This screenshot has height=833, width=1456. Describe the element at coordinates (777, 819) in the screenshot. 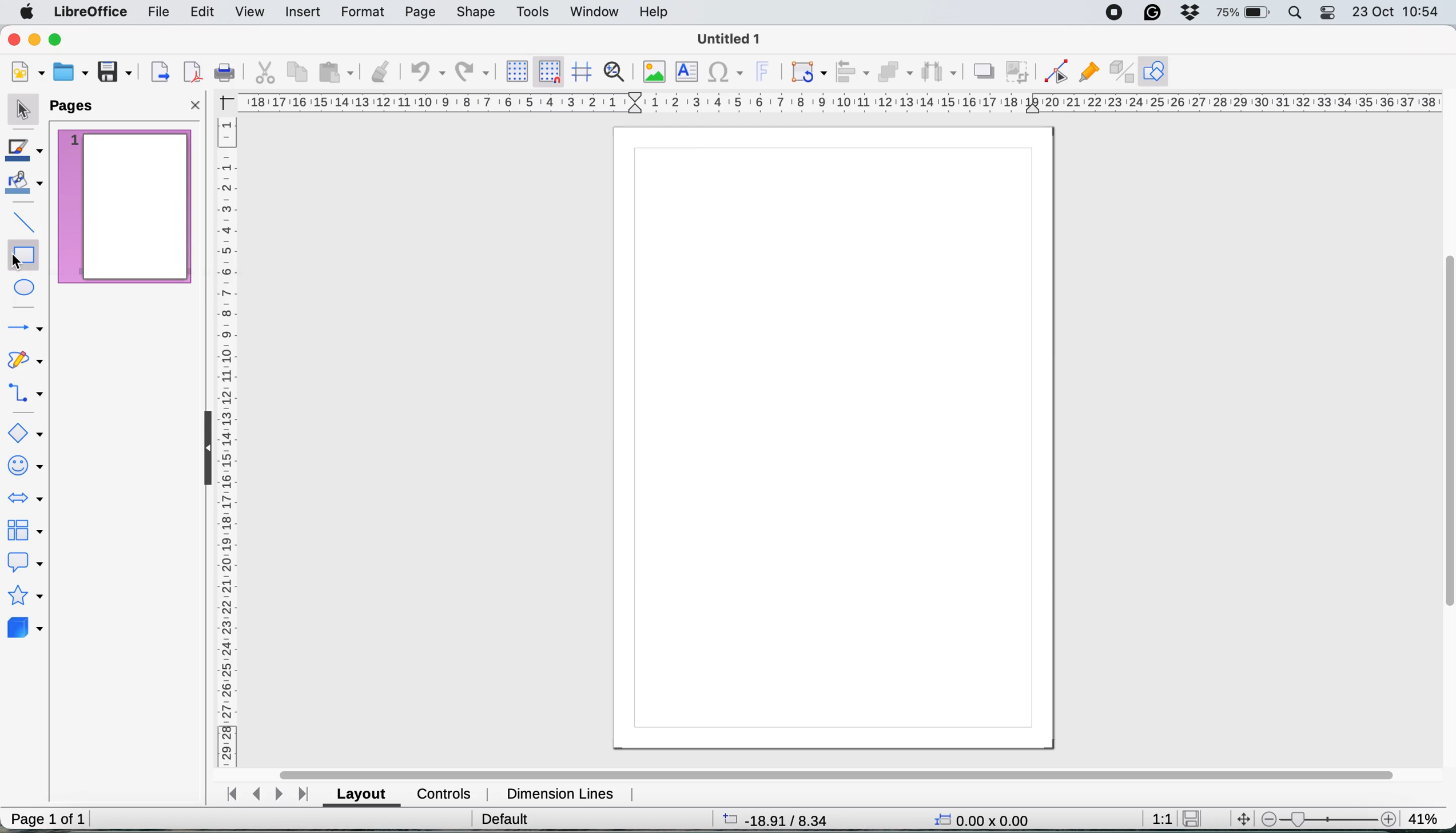

I see `-19.91/8.34` at that location.